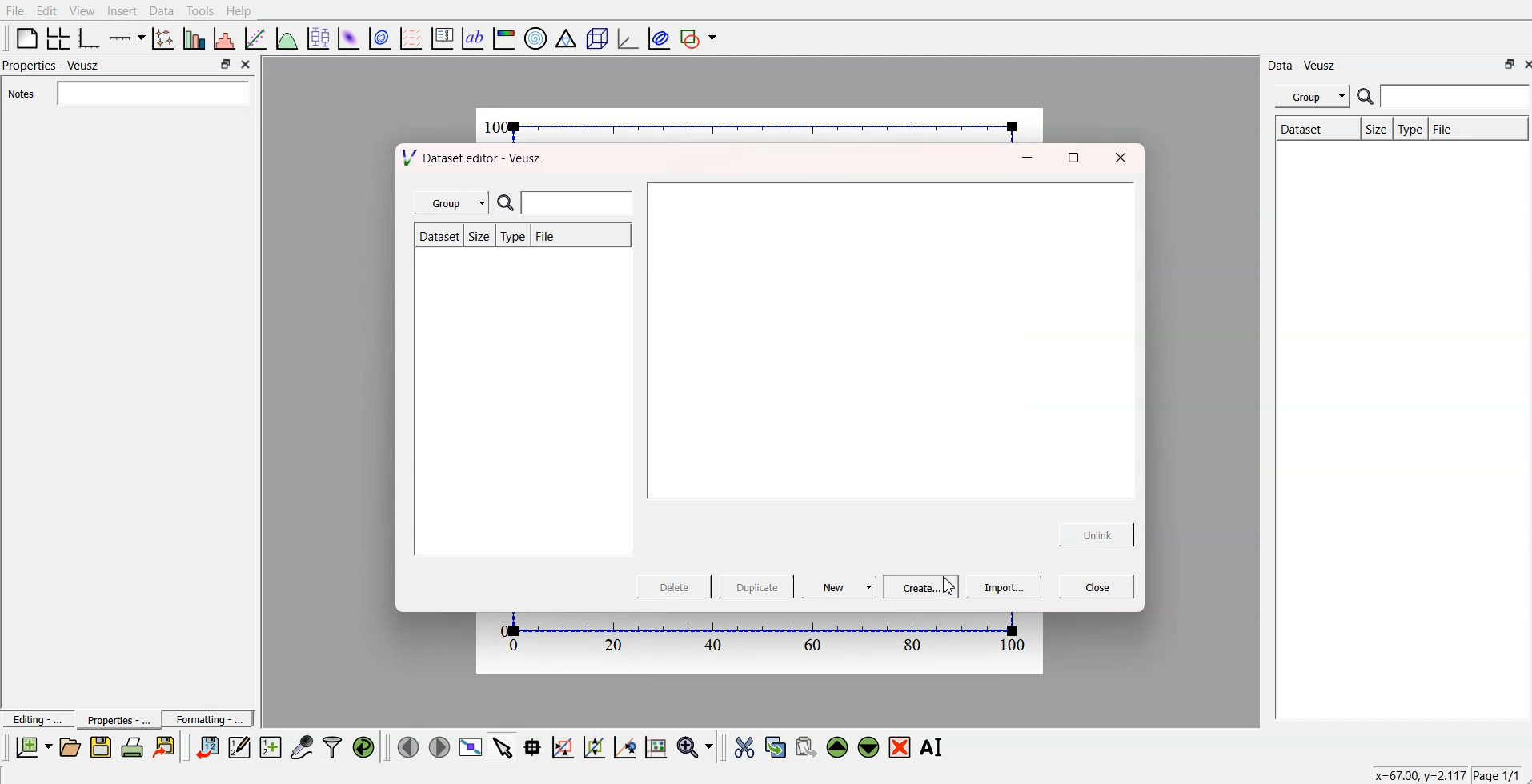 The image size is (1532, 784). I want to click on File, so click(1478, 128).